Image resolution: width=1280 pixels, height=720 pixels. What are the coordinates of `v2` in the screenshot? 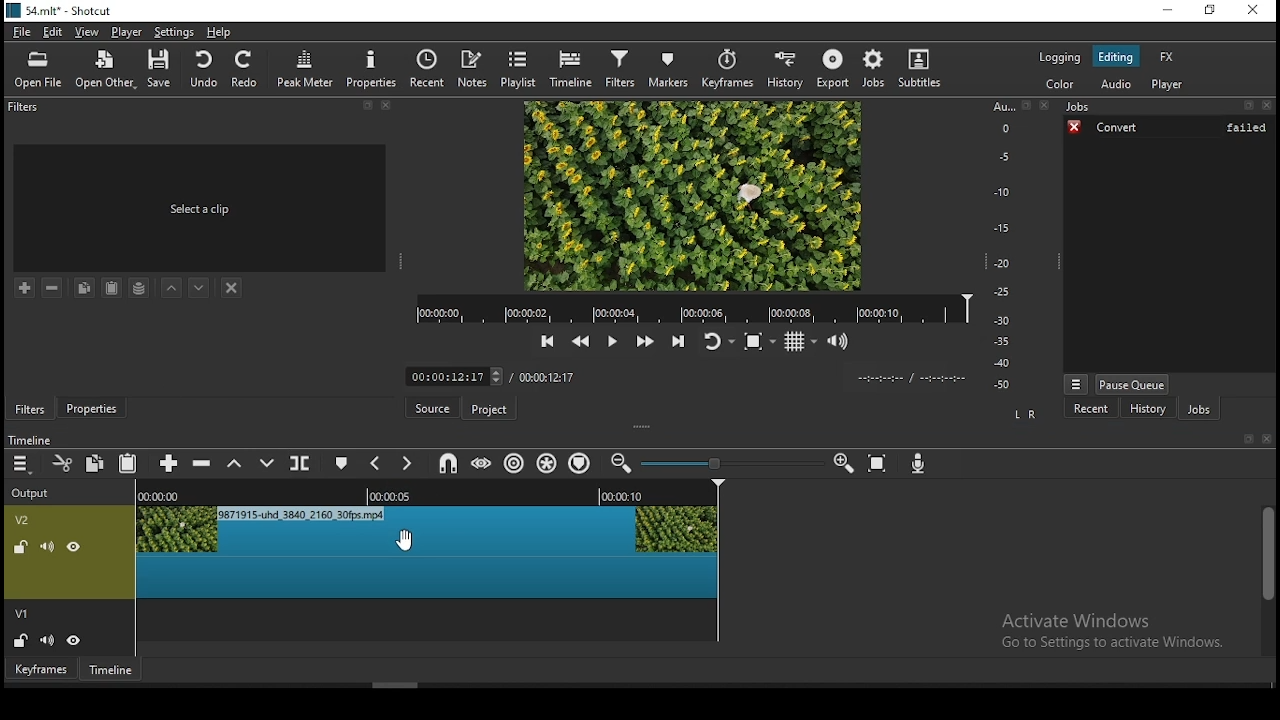 It's located at (24, 522).